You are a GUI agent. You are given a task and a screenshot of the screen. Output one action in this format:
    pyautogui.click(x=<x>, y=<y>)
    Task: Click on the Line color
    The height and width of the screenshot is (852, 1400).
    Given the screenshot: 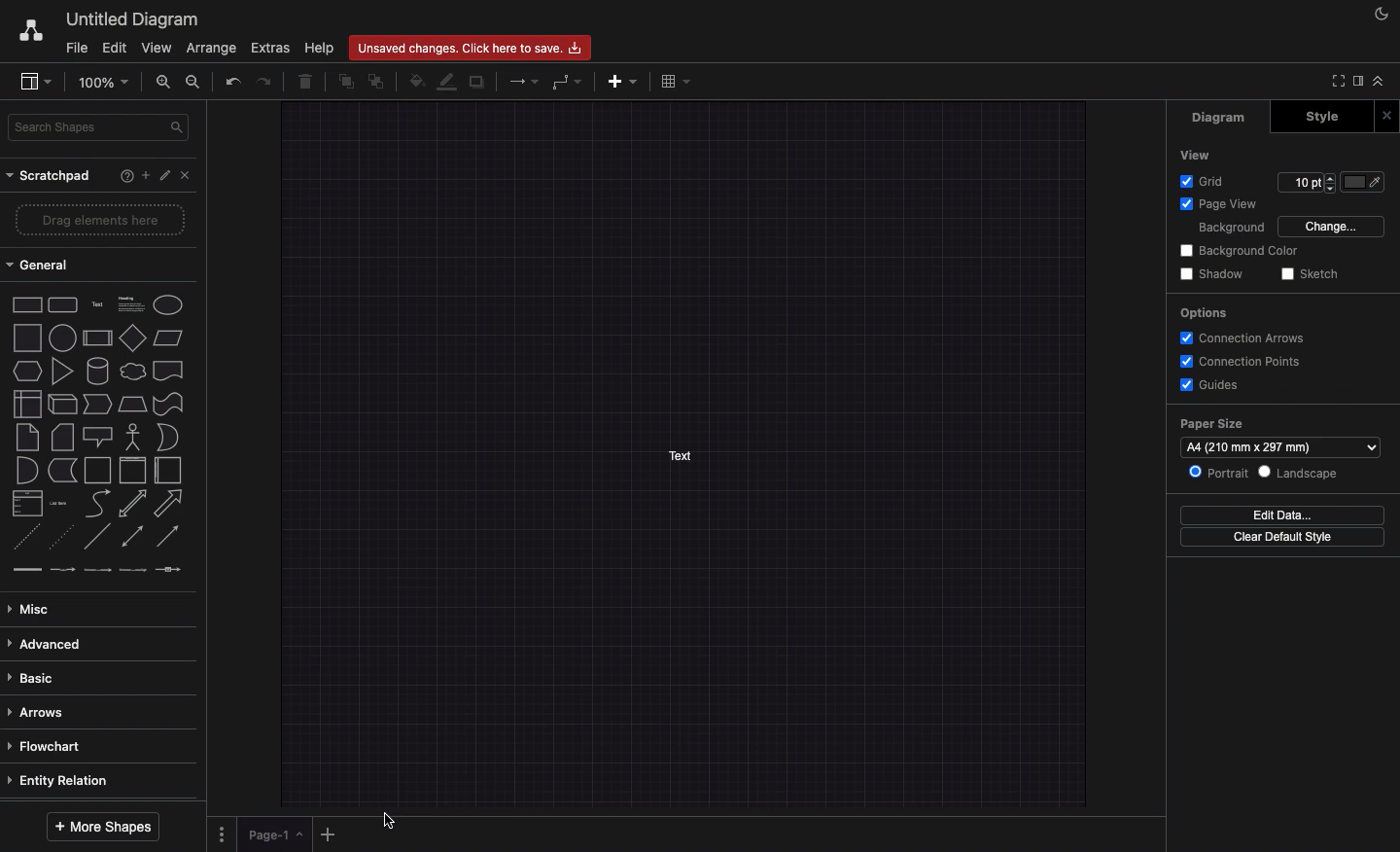 What is the action you would take?
    pyautogui.click(x=447, y=83)
    